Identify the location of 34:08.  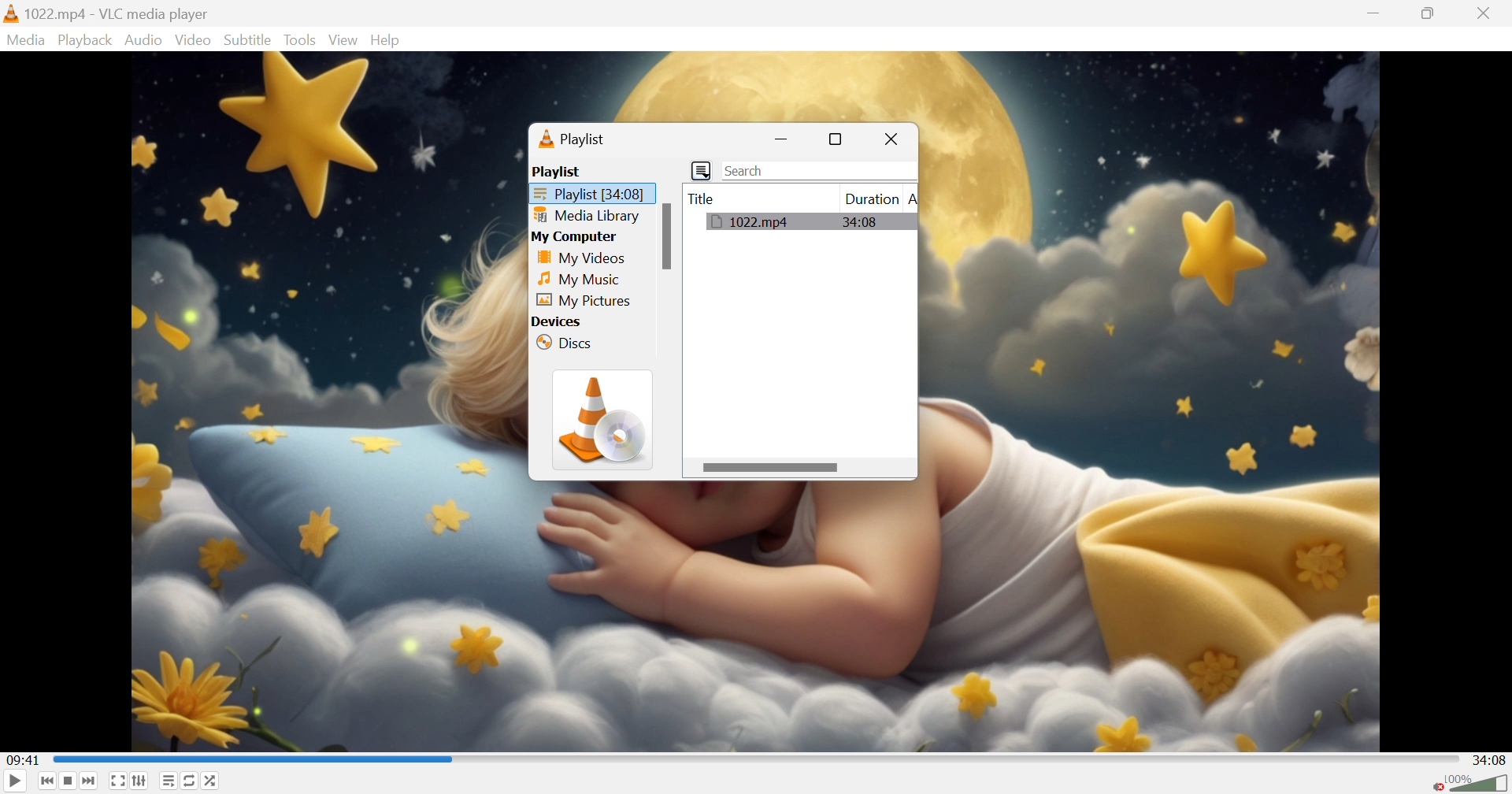
(1490, 760).